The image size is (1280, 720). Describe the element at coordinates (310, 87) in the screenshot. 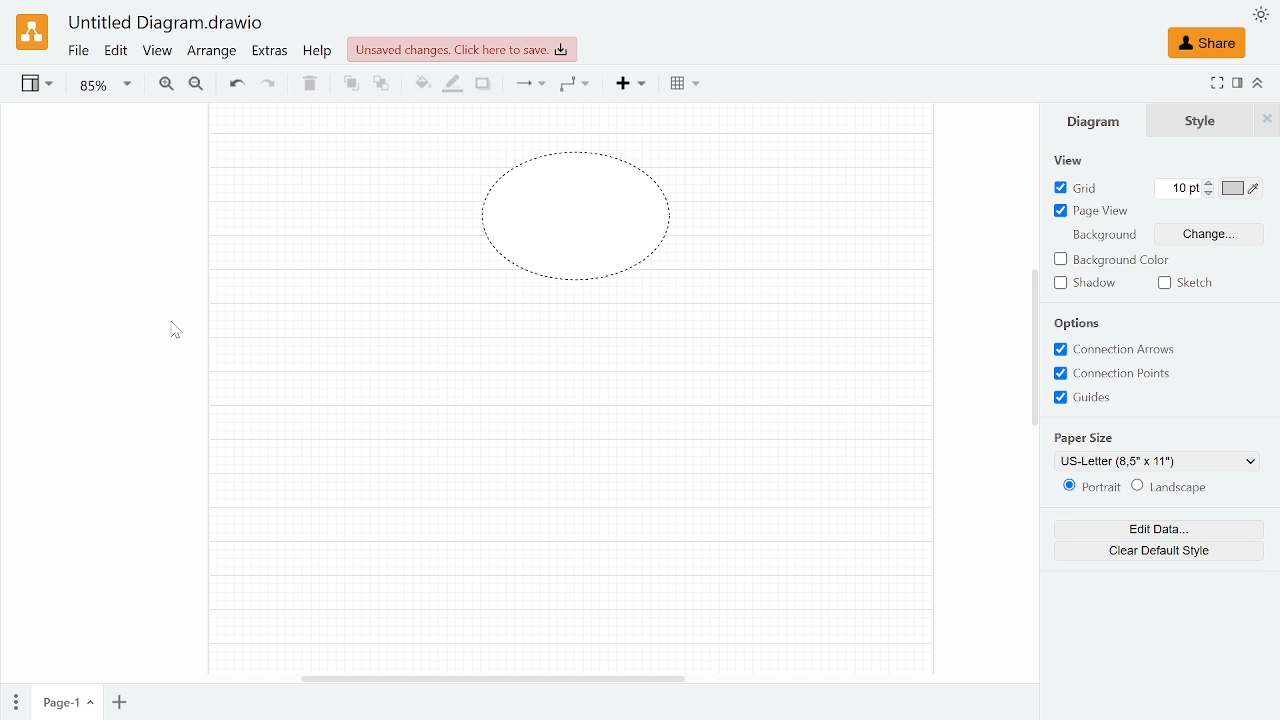

I see `Delete` at that location.